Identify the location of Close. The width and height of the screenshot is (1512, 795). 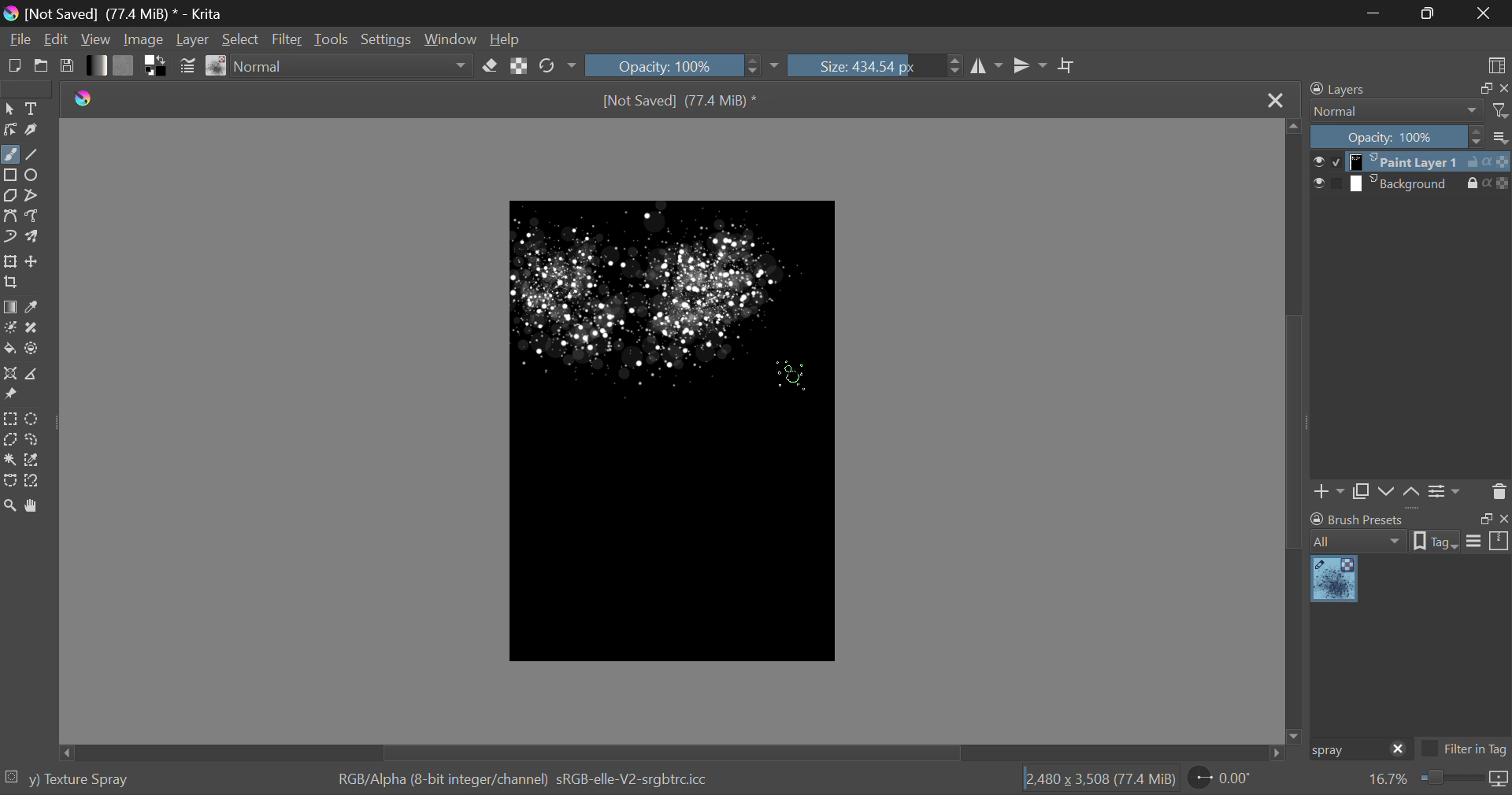
(1484, 13).